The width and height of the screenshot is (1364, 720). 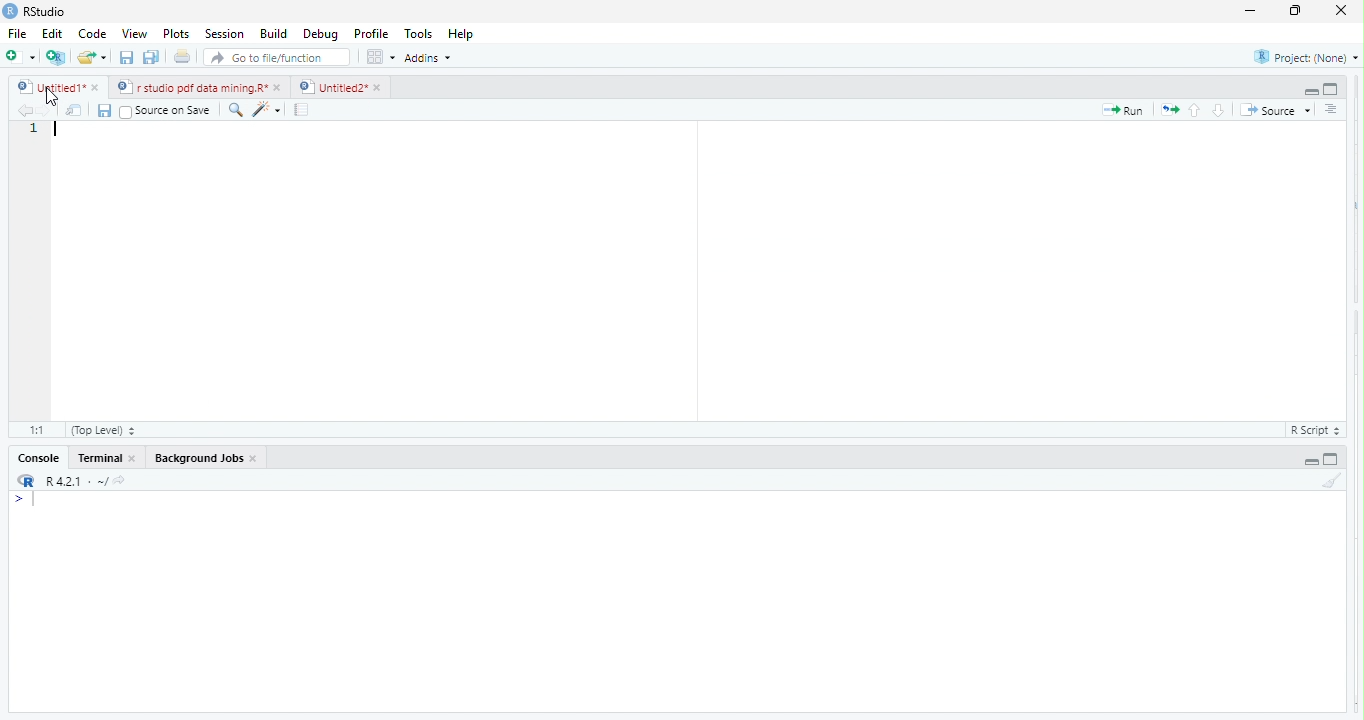 What do you see at coordinates (137, 460) in the screenshot?
I see `close` at bounding box center [137, 460].